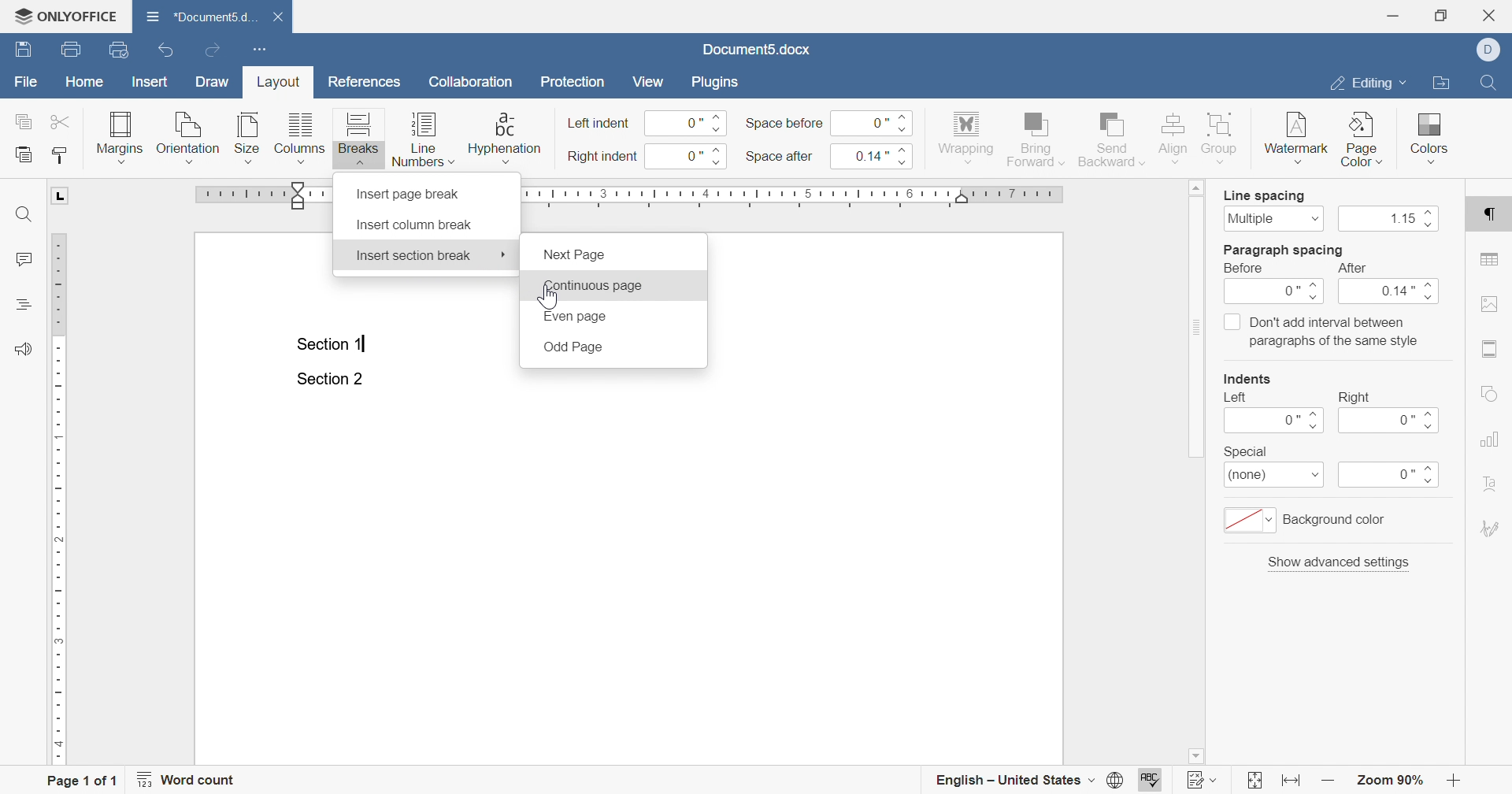 The height and width of the screenshot is (794, 1512). Describe the element at coordinates (277, 17) in the screenshot. I see `close` at that location.